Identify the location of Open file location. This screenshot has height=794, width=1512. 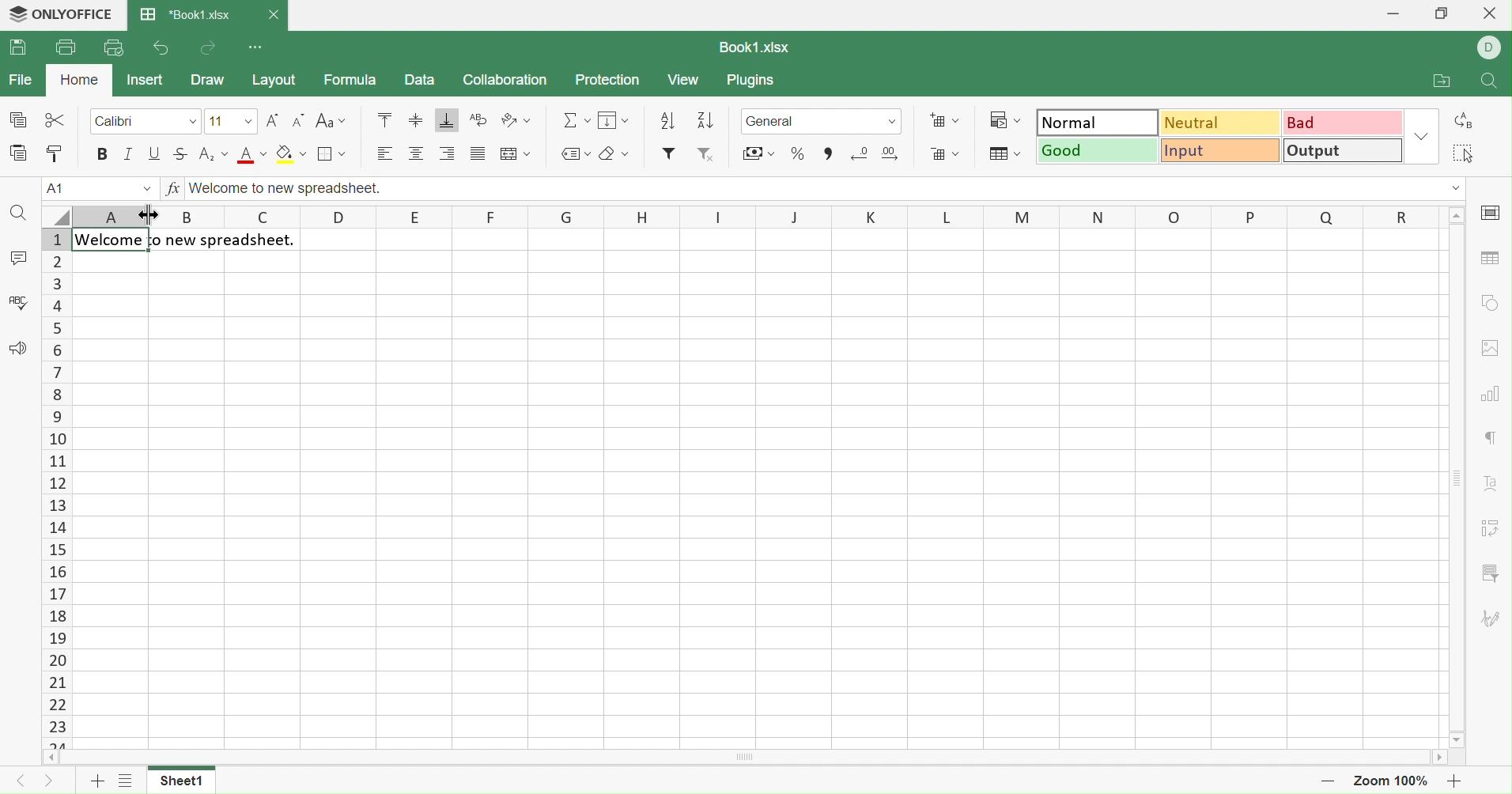
(1441, 81).